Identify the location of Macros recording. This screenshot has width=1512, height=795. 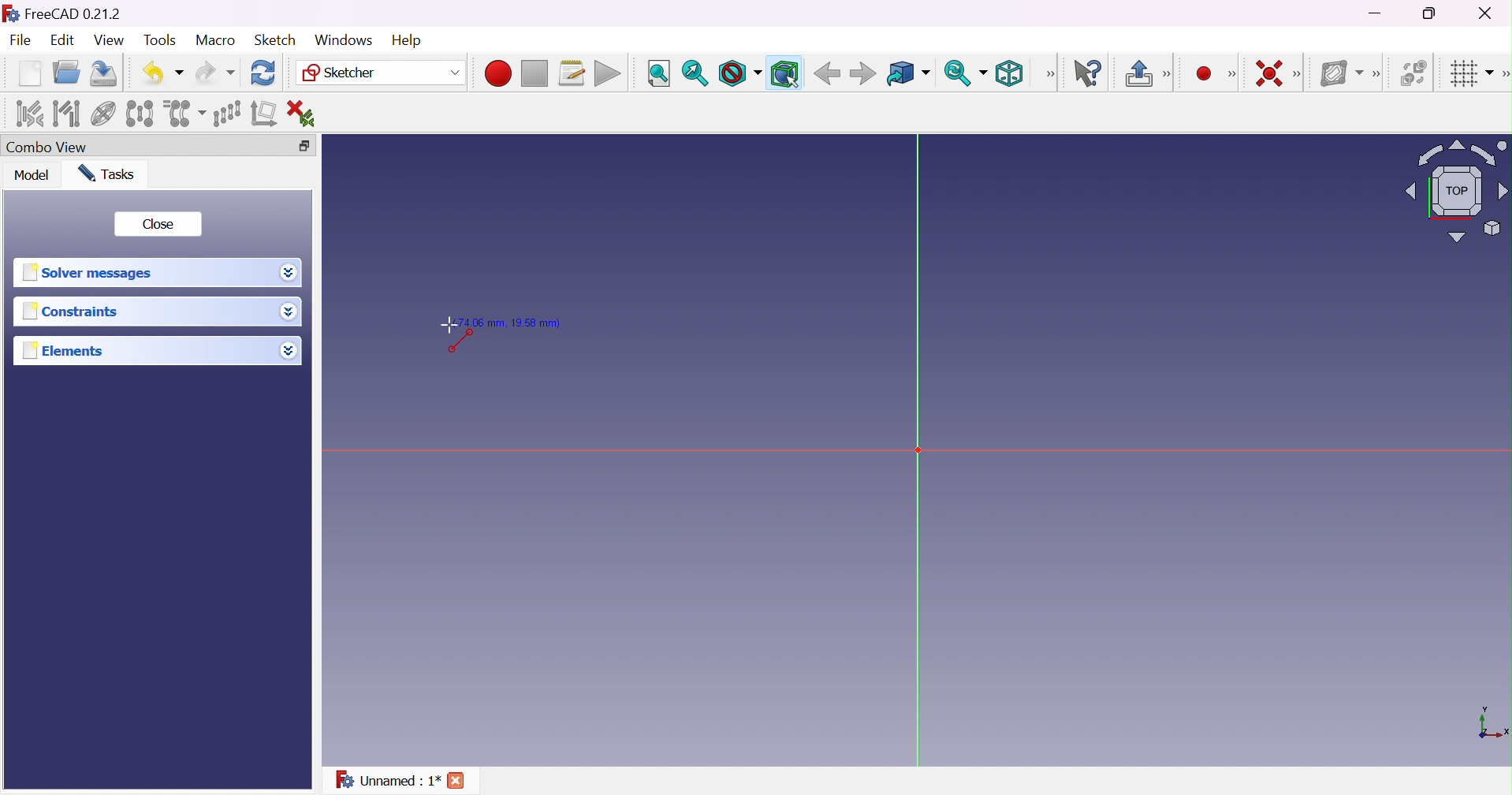
(497, 73).